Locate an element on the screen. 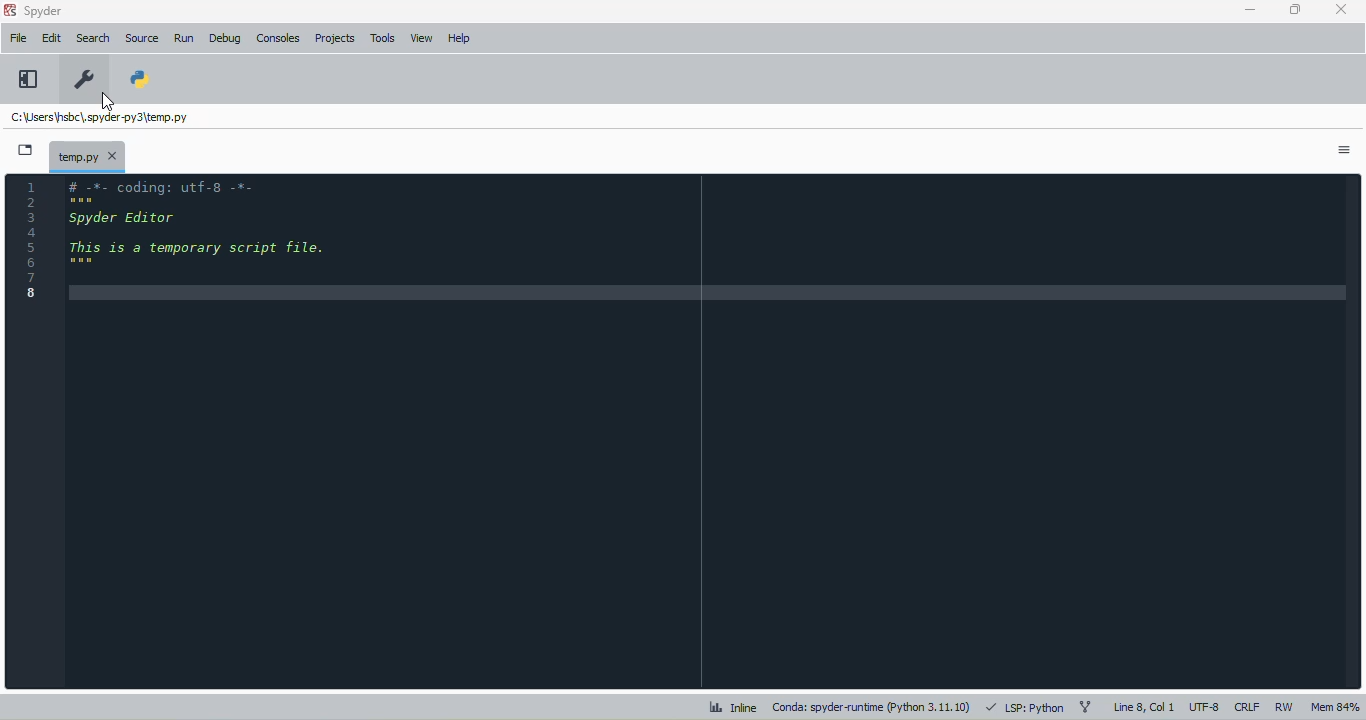 Image resolution: width=1366 pixels, height=720 pixels. RW is located at coordinates (1284, 707).